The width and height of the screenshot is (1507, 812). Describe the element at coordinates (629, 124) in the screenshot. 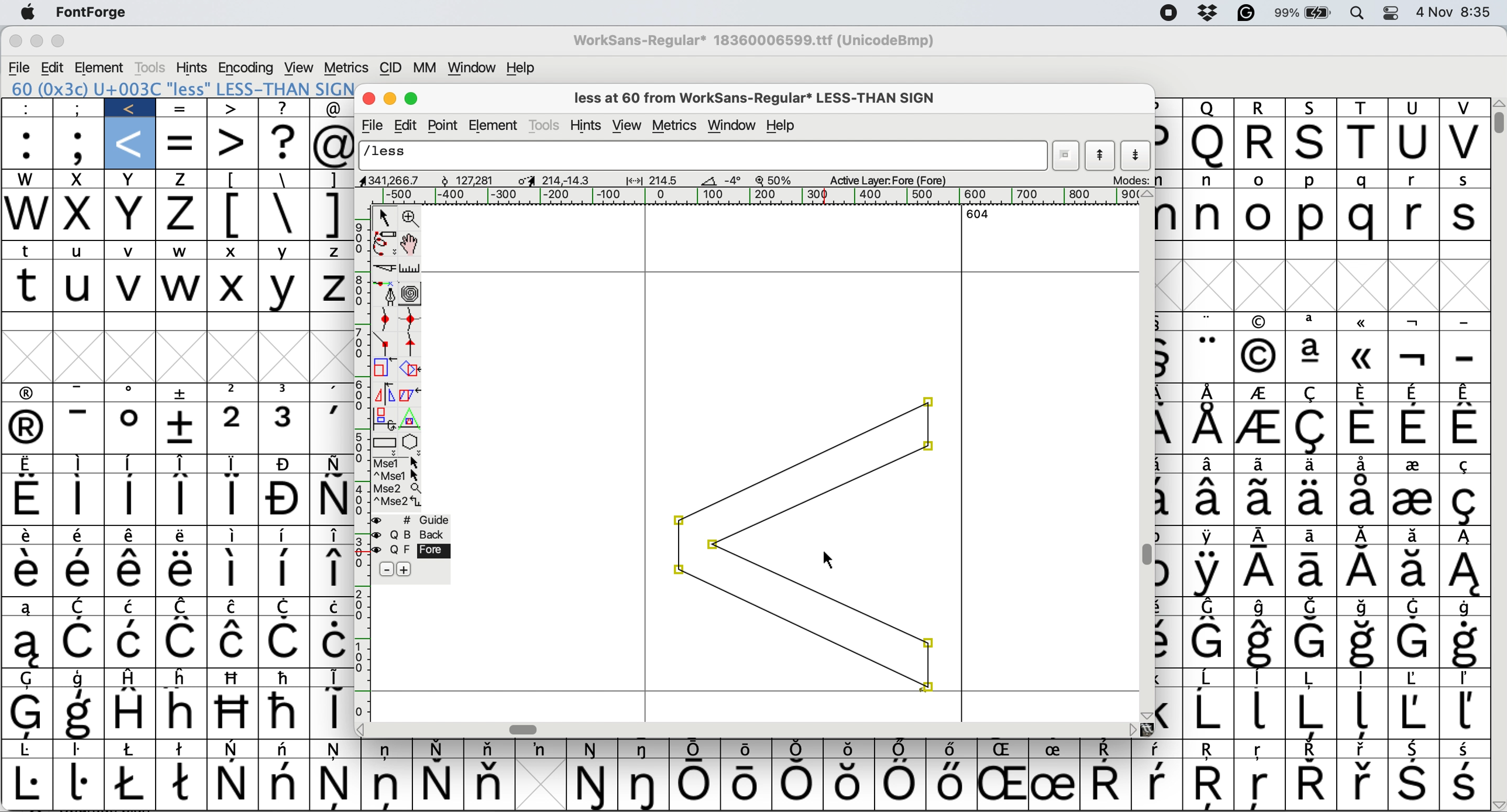

I see `view` at that location.